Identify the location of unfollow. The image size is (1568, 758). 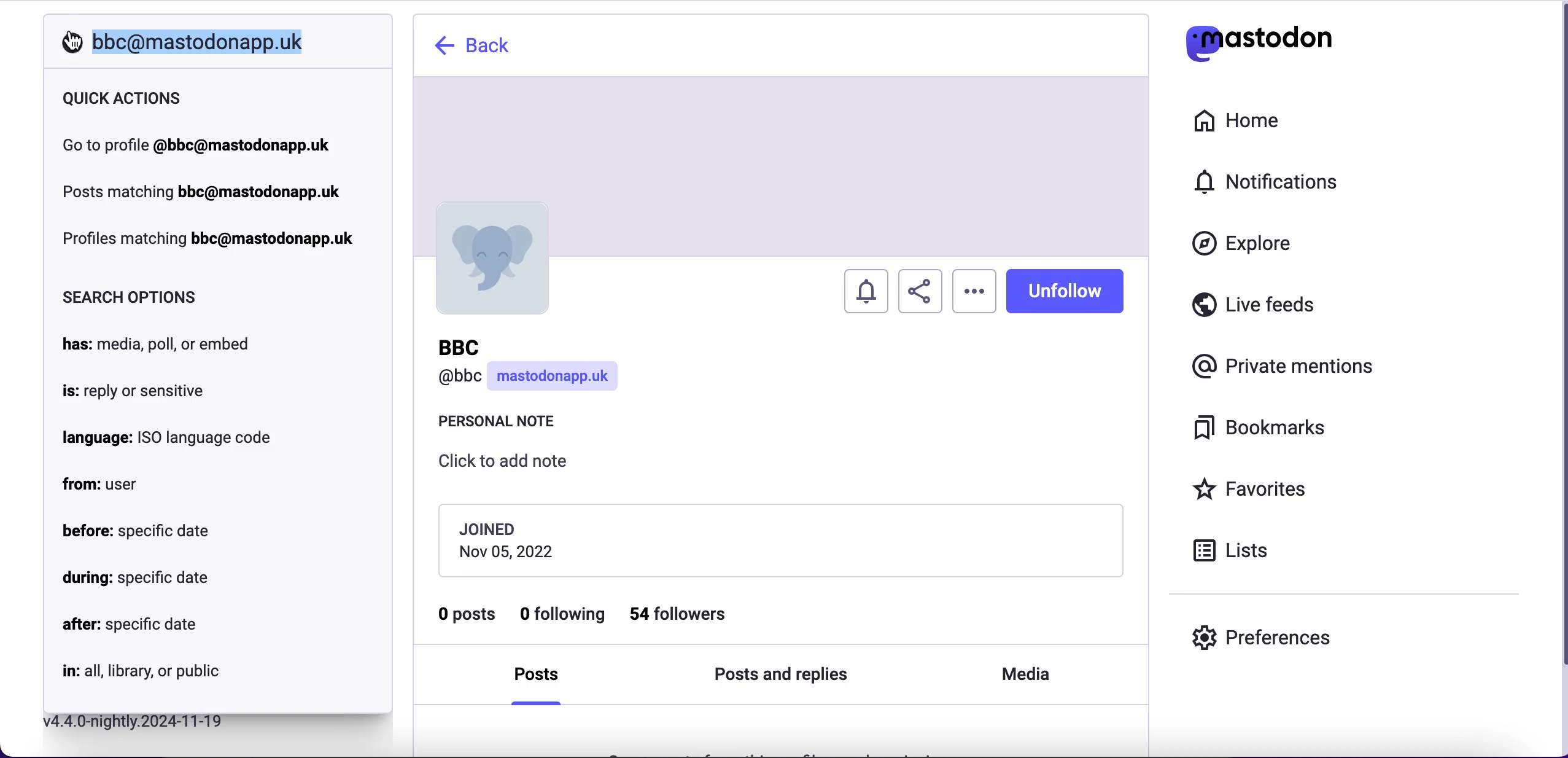
(1065, 290).